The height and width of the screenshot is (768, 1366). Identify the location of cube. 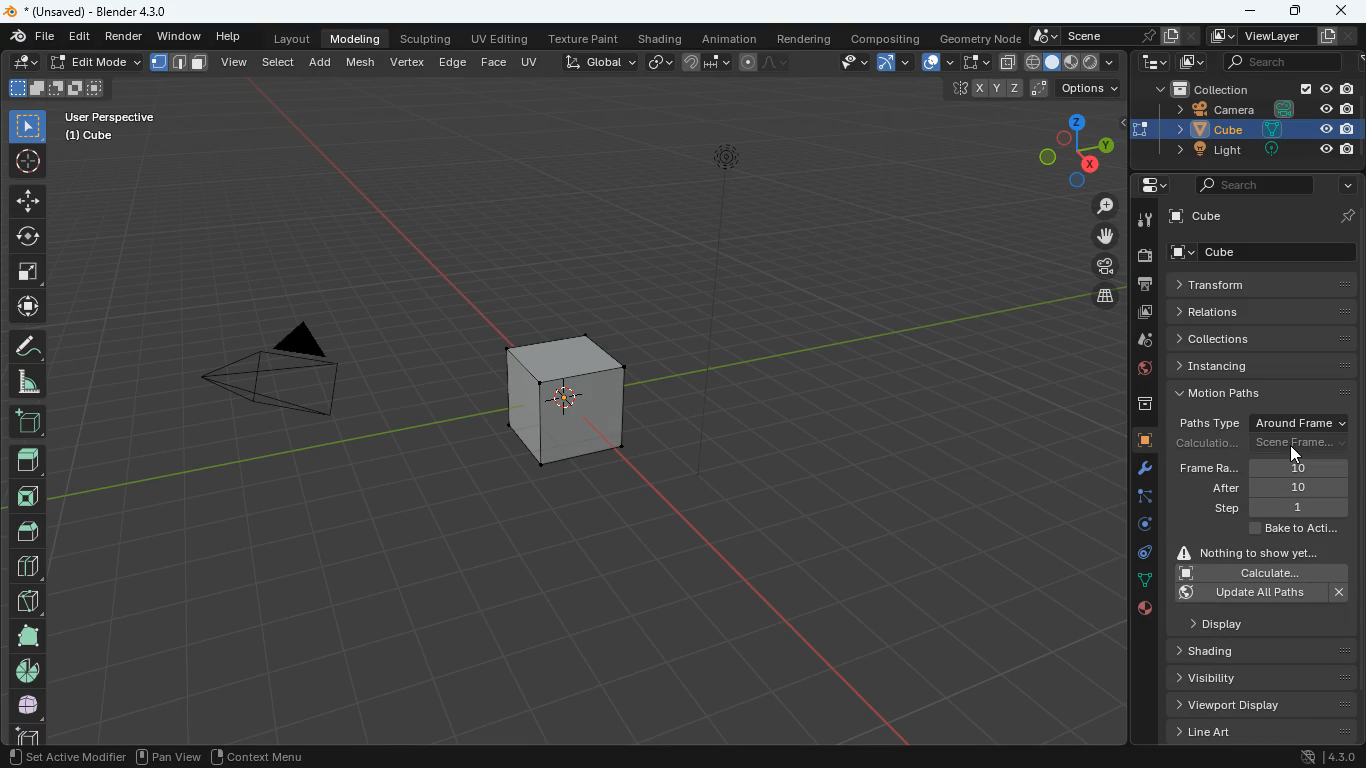
(565, 391).